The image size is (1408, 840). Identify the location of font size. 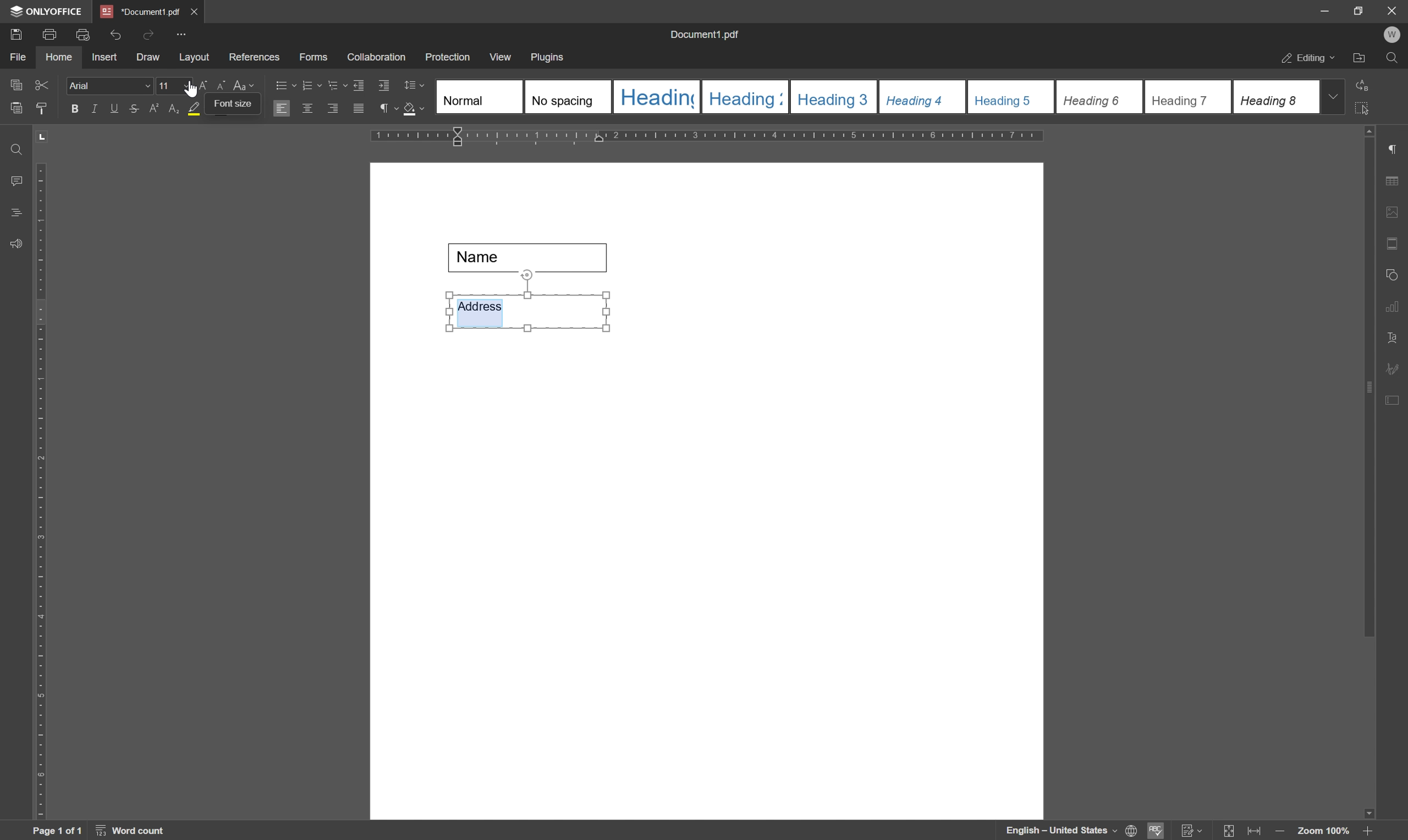
(229, 109).